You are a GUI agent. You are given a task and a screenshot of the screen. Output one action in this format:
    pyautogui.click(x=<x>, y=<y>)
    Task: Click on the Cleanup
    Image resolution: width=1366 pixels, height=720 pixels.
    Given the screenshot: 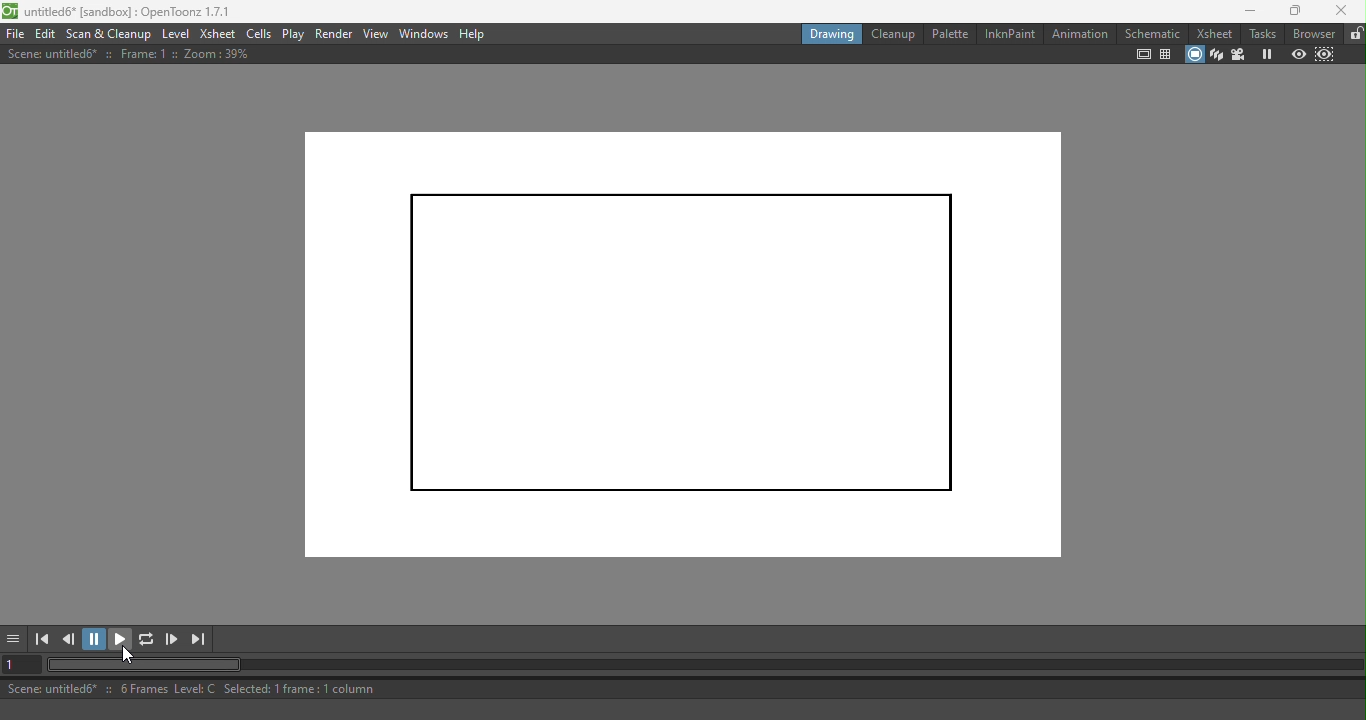 What is the action you would take?
    pyautogui.click(x=898, y=33)
    